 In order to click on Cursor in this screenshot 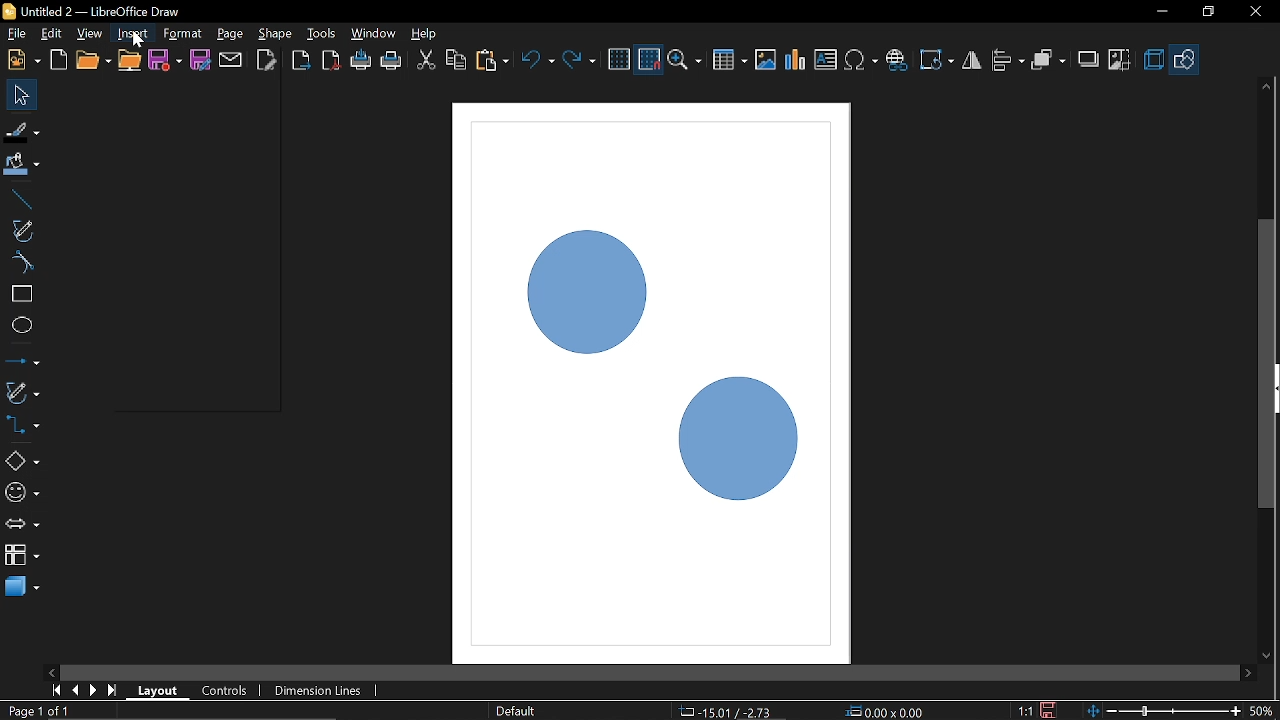, I will do `click(133, 41)`.